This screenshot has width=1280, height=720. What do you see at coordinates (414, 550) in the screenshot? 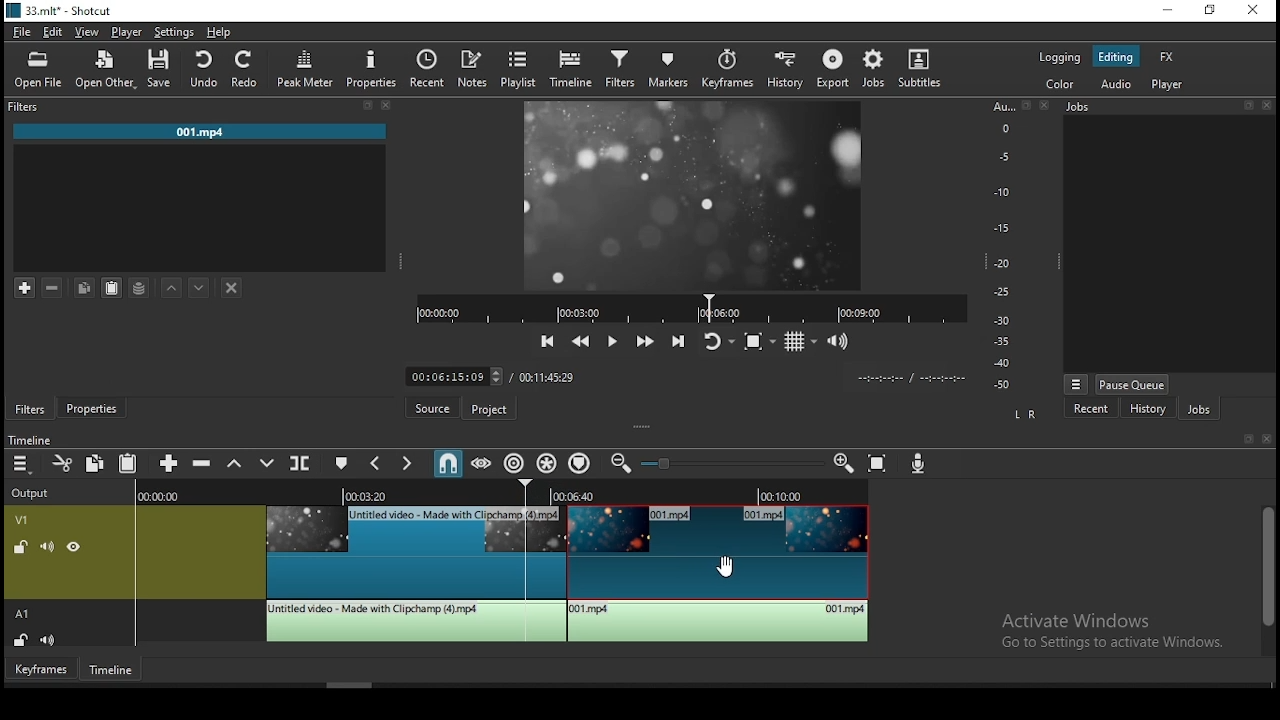
I see `video clip` at bounding box center [414, 550].